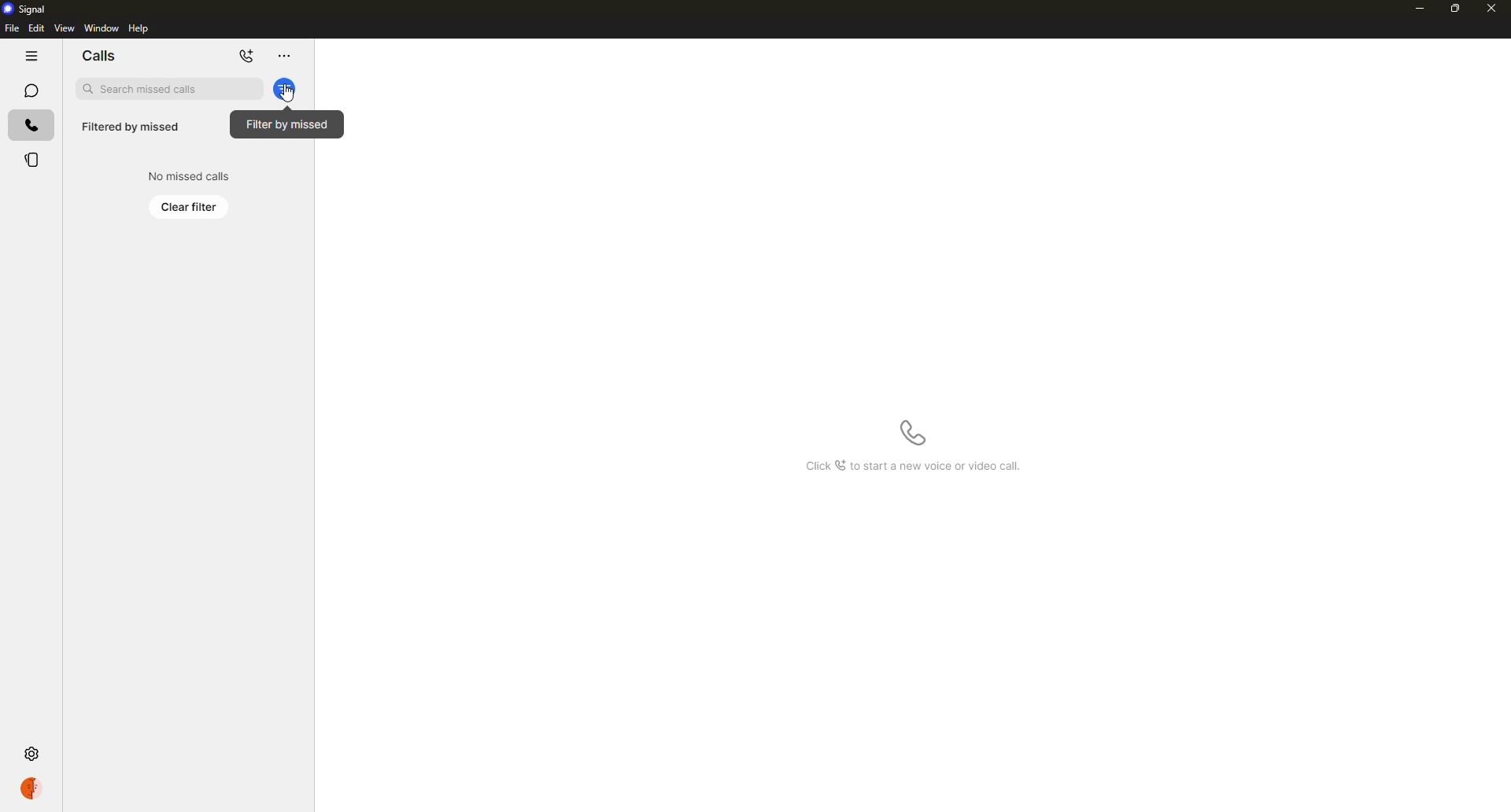 This screenshot has width=1511, height=812. What do you see at coordinates (132, 127) in the screenshot?
I see `filter by missed` at bounding box center [132, 127].